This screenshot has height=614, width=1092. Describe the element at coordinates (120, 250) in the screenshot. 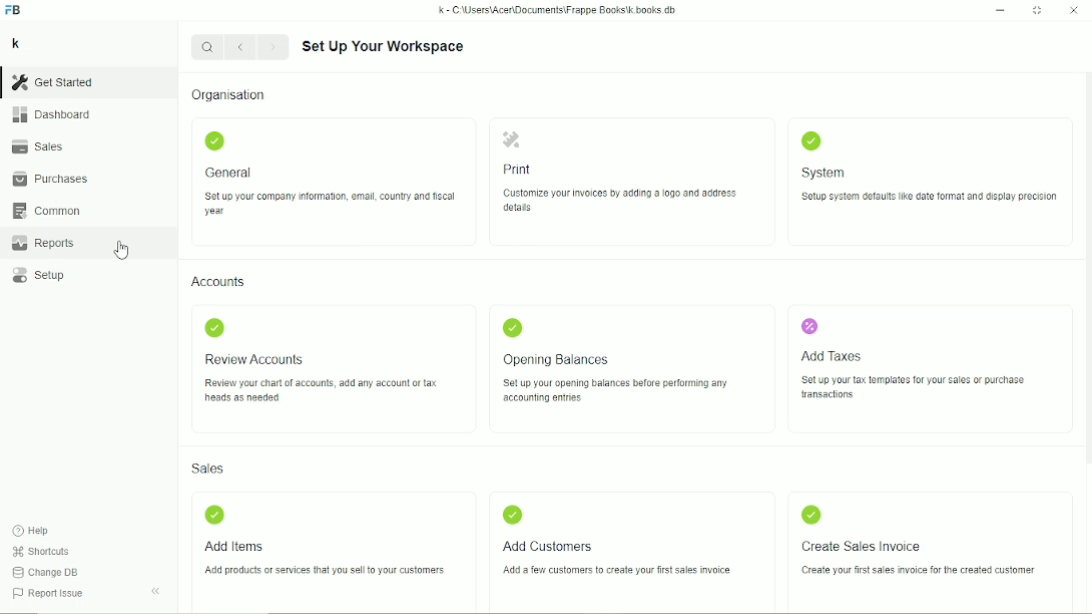

I see `Cursor` at that location.